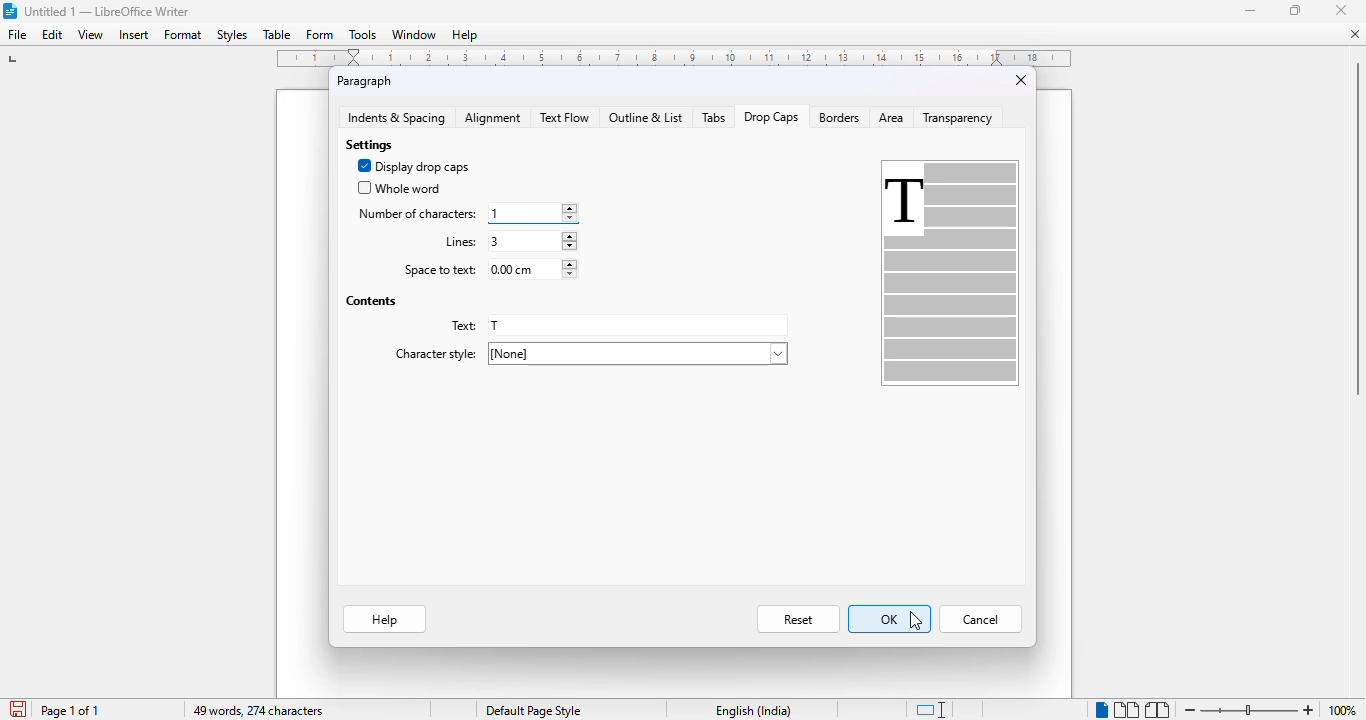 This screenshot has width=1366, height=720. What do you see at coordinates (646, 118) in the screenshot?
I see `outline and list` at bounding box center [646, 118].